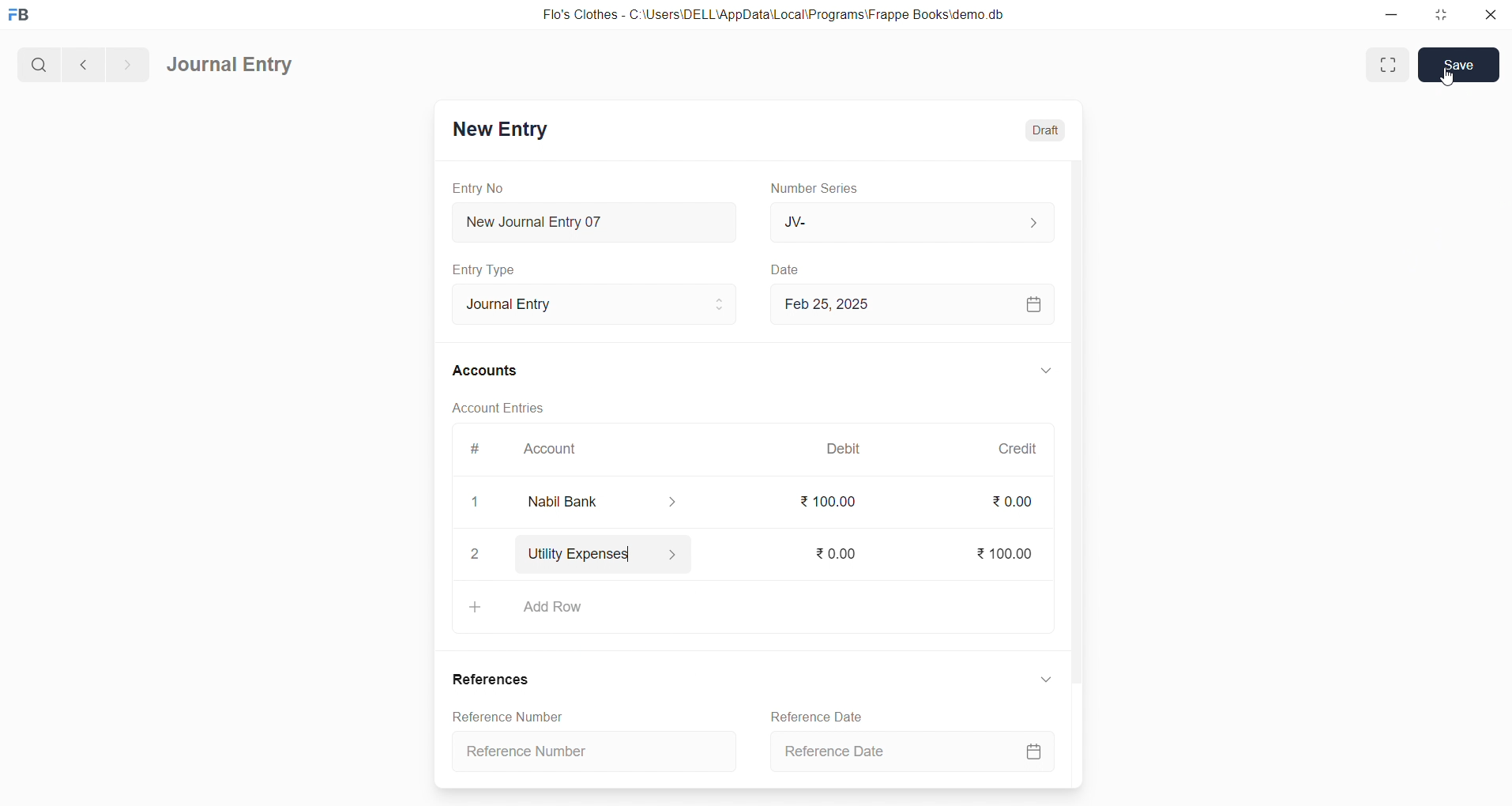 The width and height of the screenshot is (1512, 806). I want to click on cursor, so click(1448, 83).